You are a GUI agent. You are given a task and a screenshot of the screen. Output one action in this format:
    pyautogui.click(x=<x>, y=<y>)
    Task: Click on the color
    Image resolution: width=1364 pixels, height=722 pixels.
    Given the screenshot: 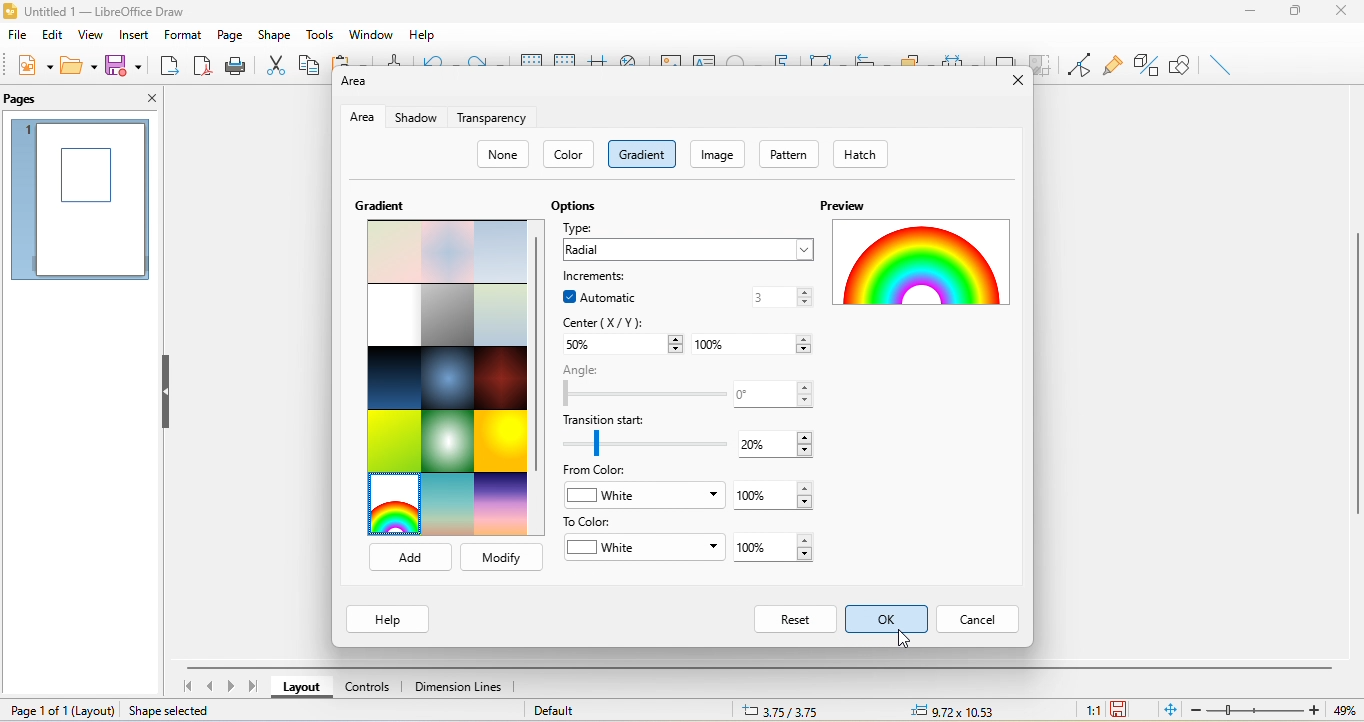 What is the action you would take?
    pyautogui.click(x=567, y=154)
    